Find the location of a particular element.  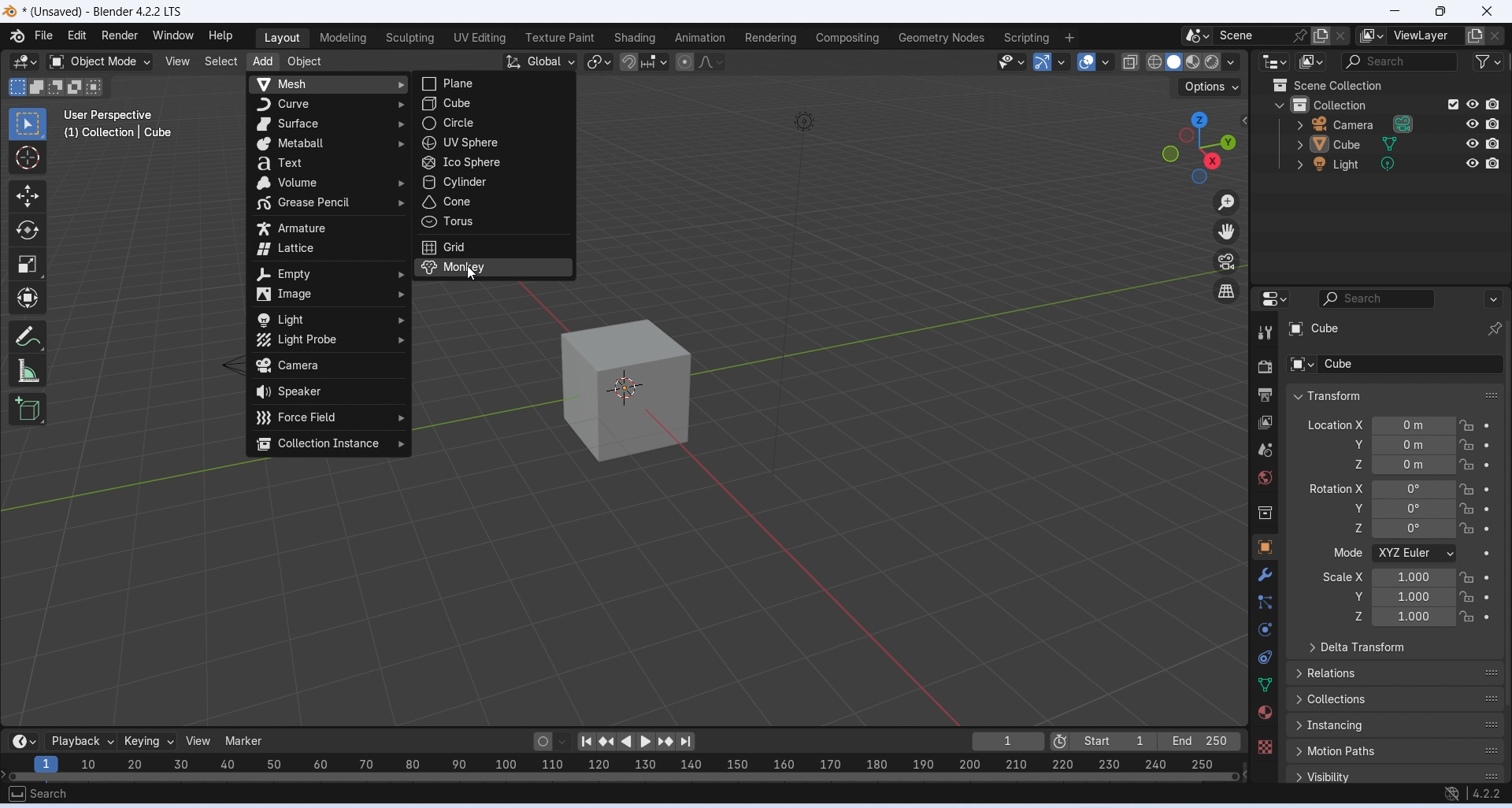

euler rotation is located at coordinates (1414, 508).